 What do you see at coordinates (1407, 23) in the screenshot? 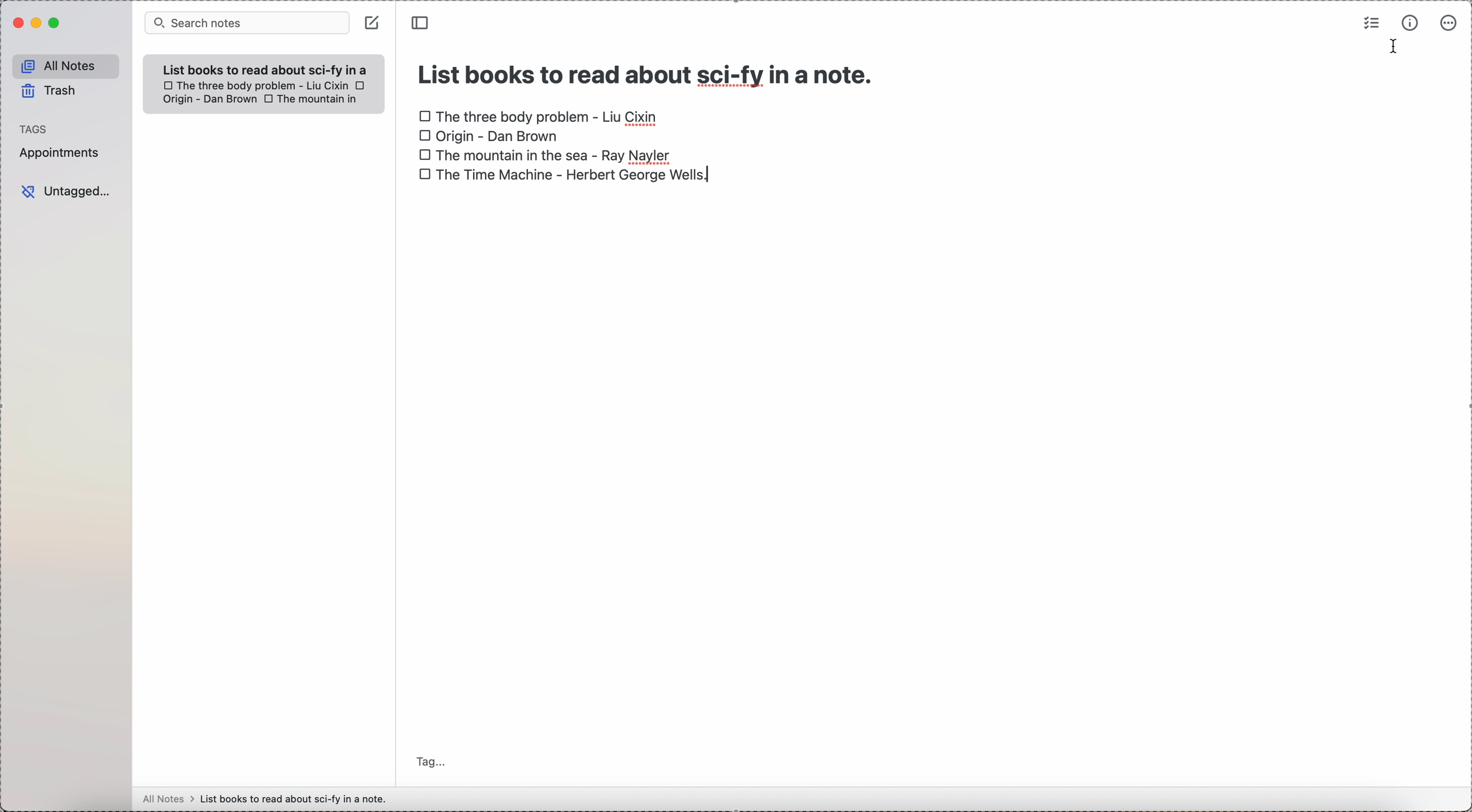
I see `metrics` at bounding box center [1407, 23].